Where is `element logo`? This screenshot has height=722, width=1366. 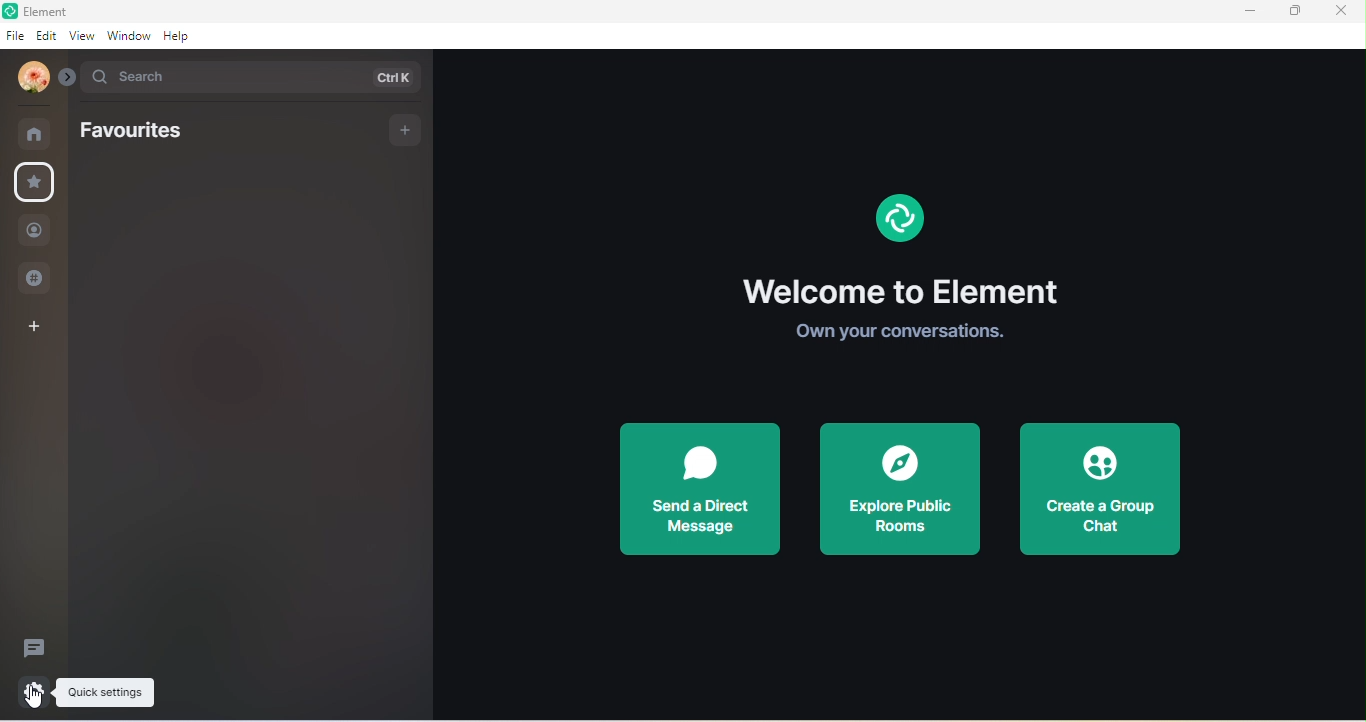 element logo is located at coordinates (897, 217).